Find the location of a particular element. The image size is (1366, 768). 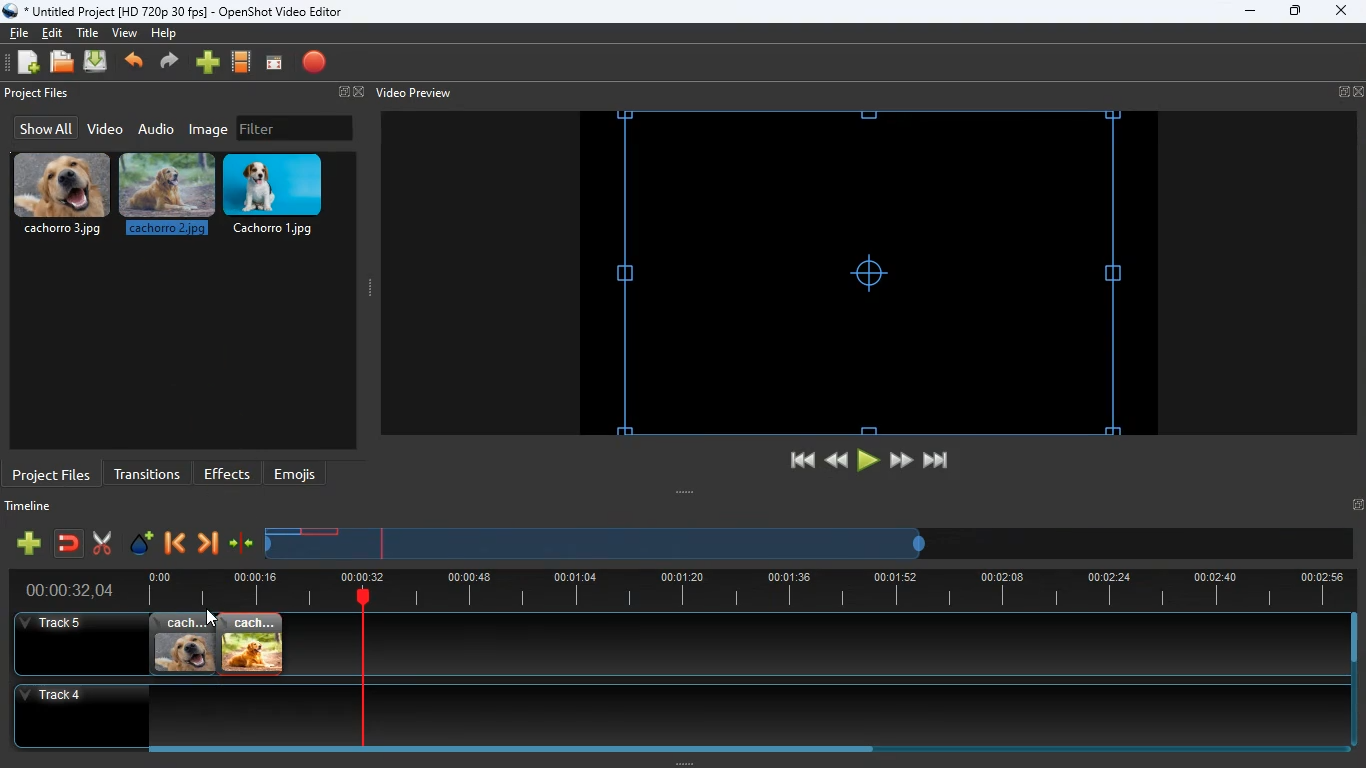

back is located at coordinates (834, 460).